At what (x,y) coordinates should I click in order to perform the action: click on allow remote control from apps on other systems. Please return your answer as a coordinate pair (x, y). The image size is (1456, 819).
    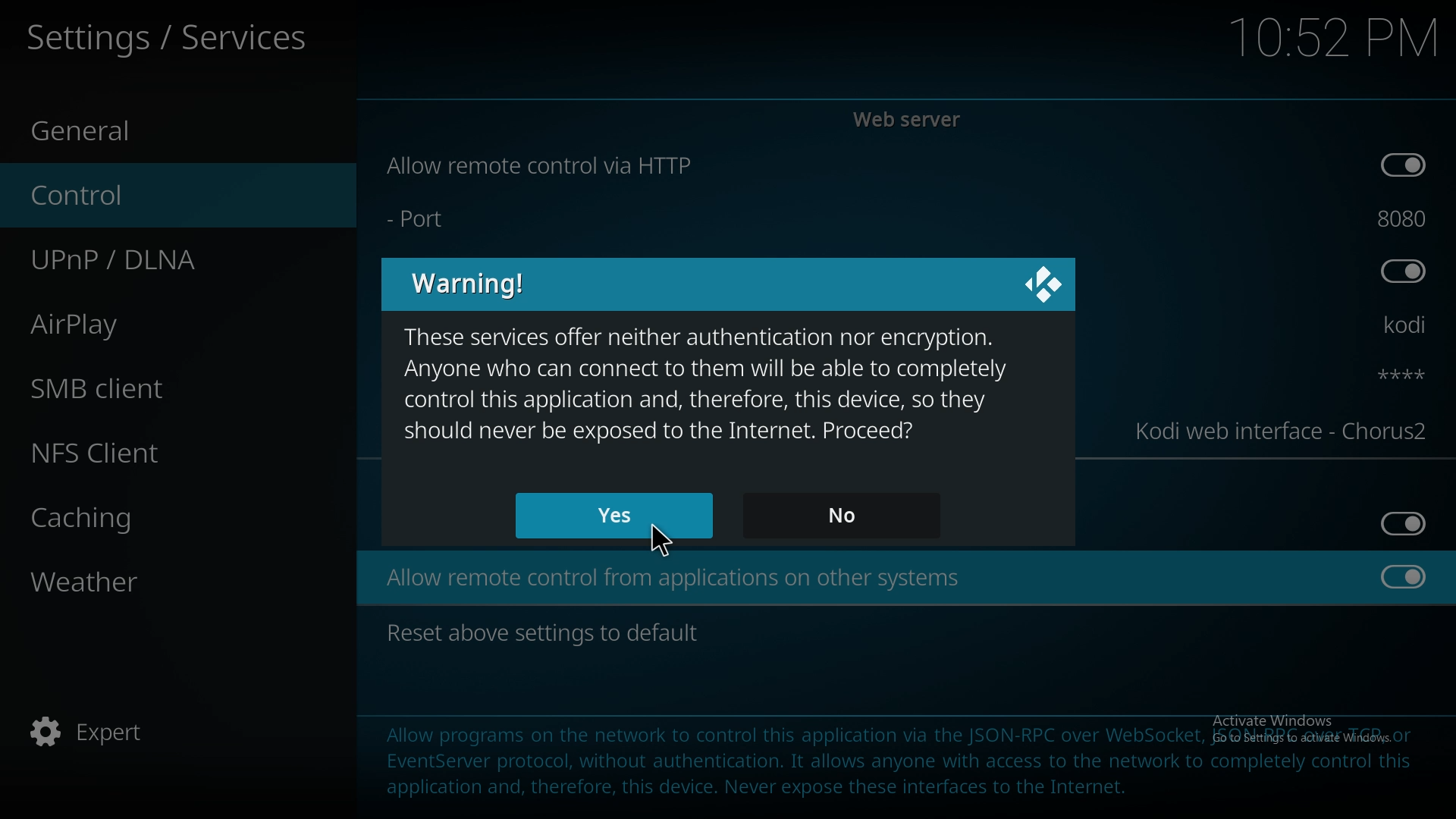
    Looking at the image, I should click on (676, 578).